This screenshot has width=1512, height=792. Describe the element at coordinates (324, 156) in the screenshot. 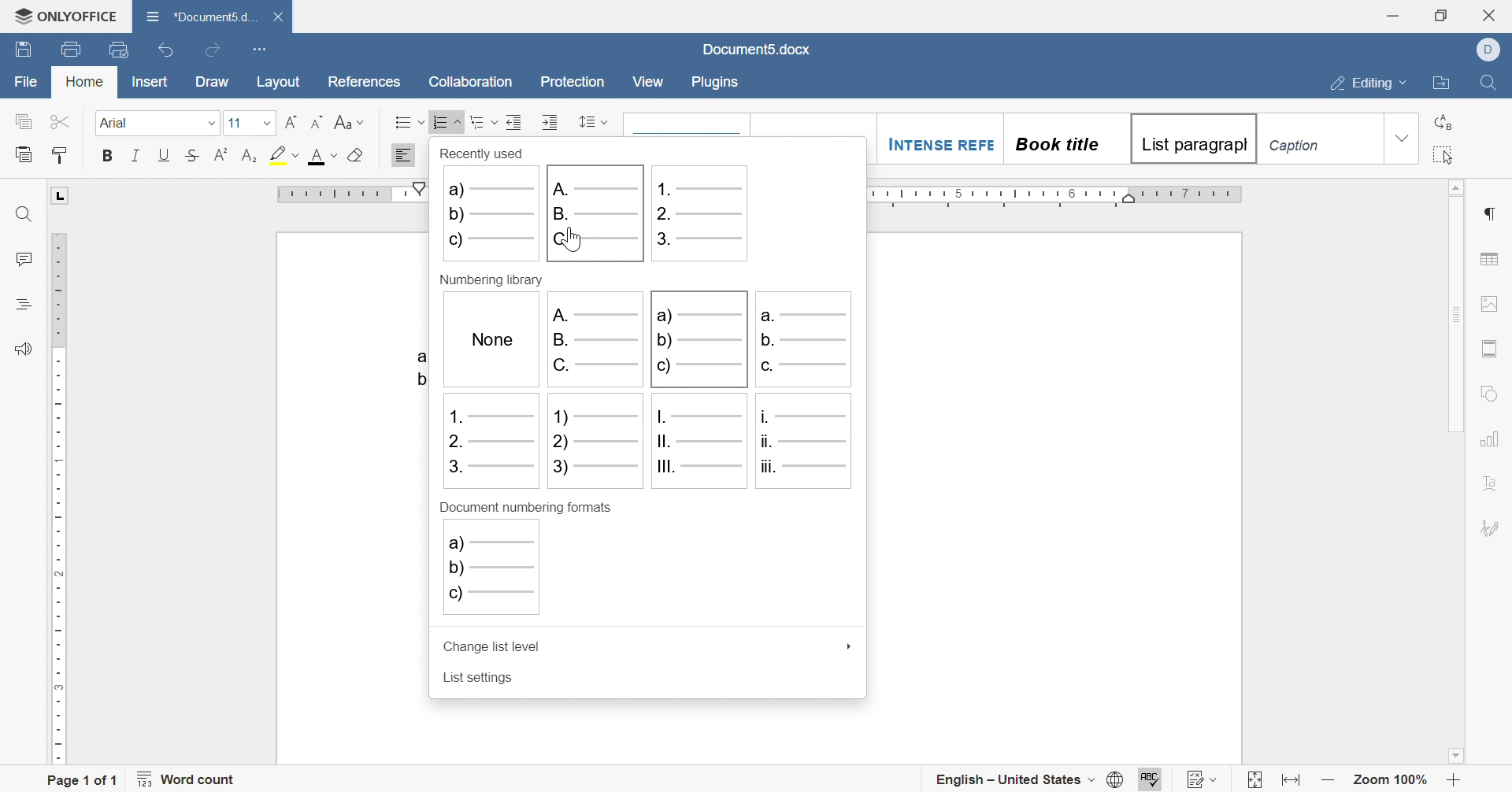

I see `font color` at that location.